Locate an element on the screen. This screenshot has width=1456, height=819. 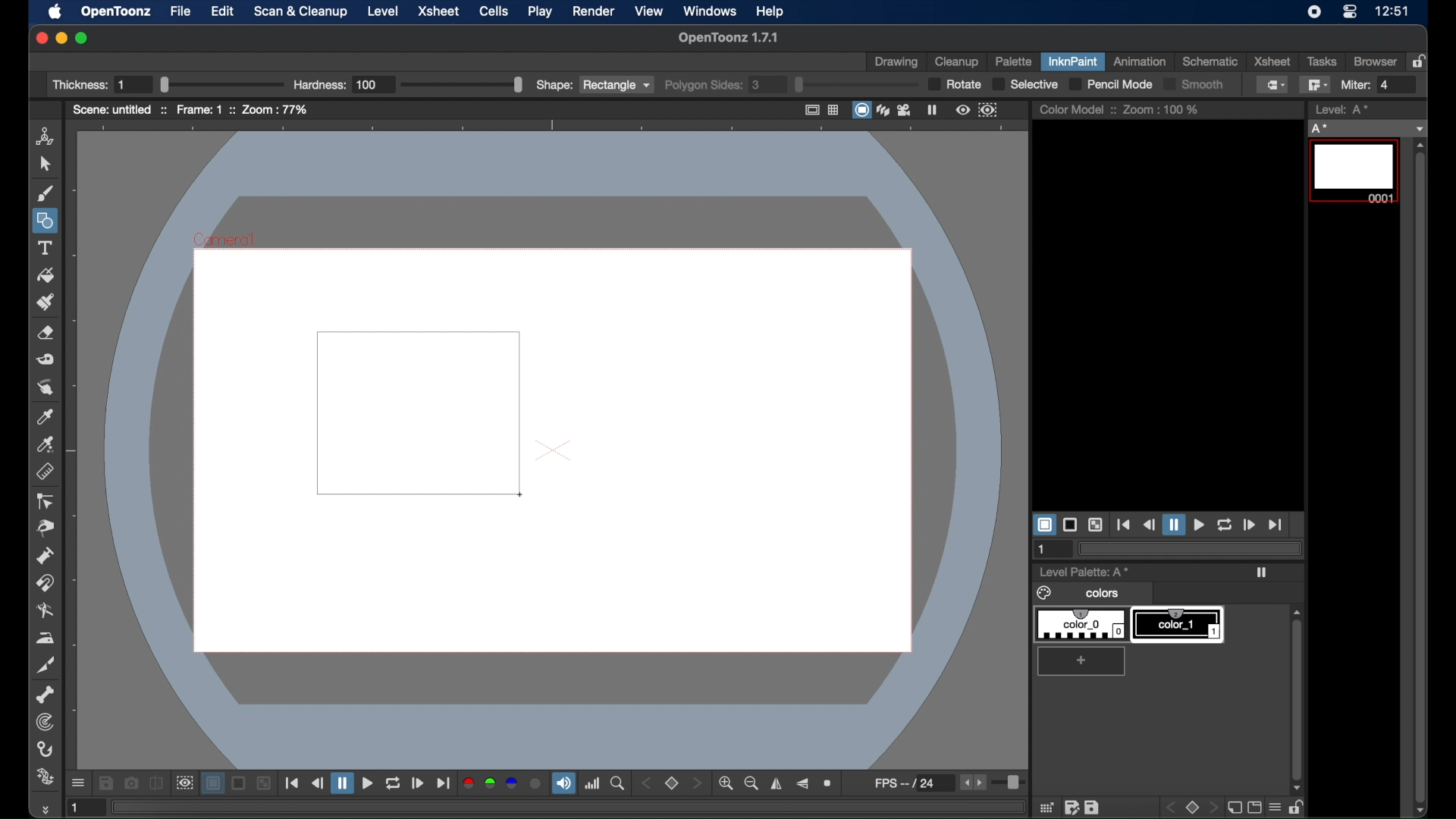
maximize is located at coordinates (83, 38).